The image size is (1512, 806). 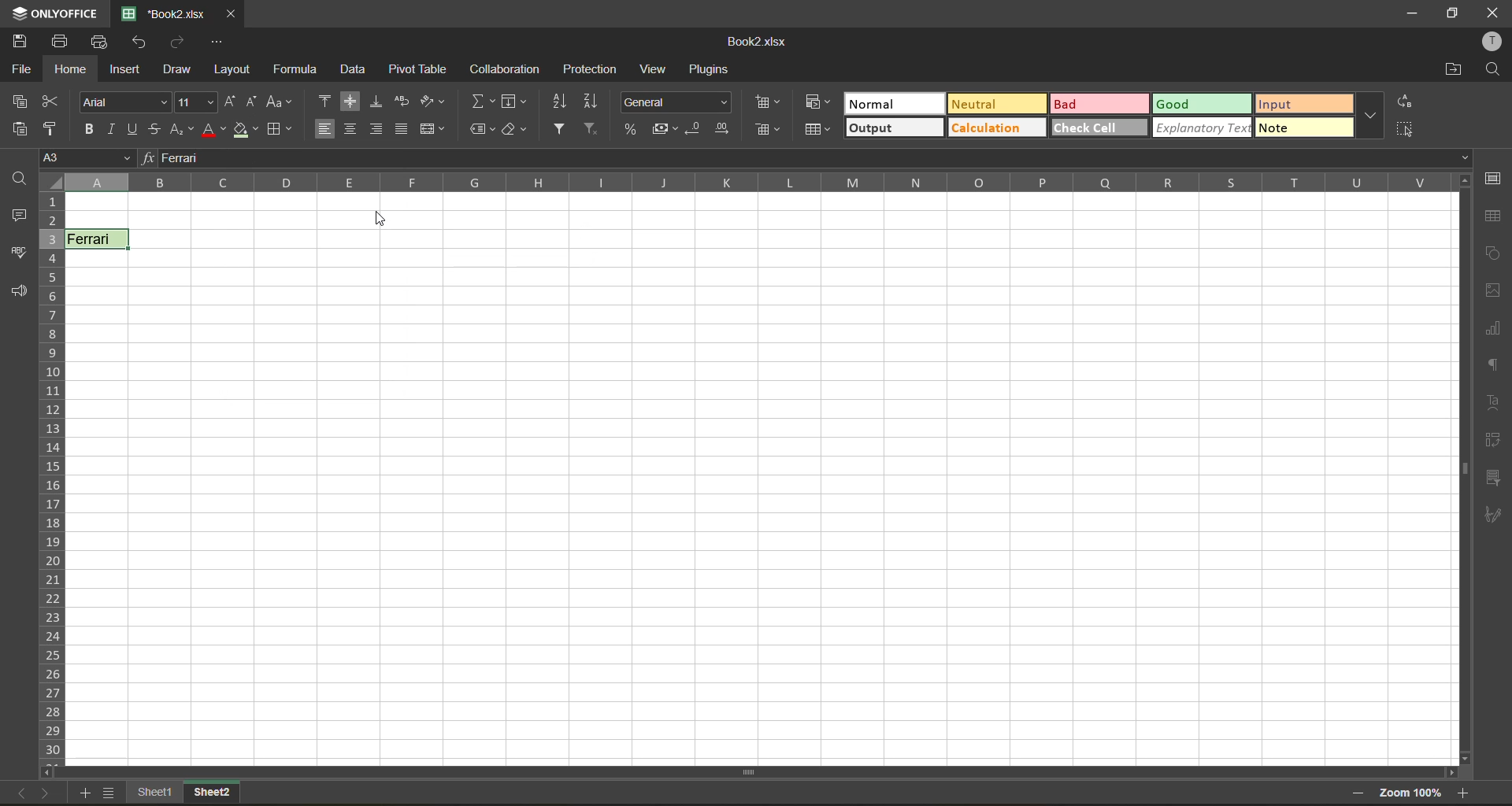 I want to click on format as table, so click(x=817, y=131).